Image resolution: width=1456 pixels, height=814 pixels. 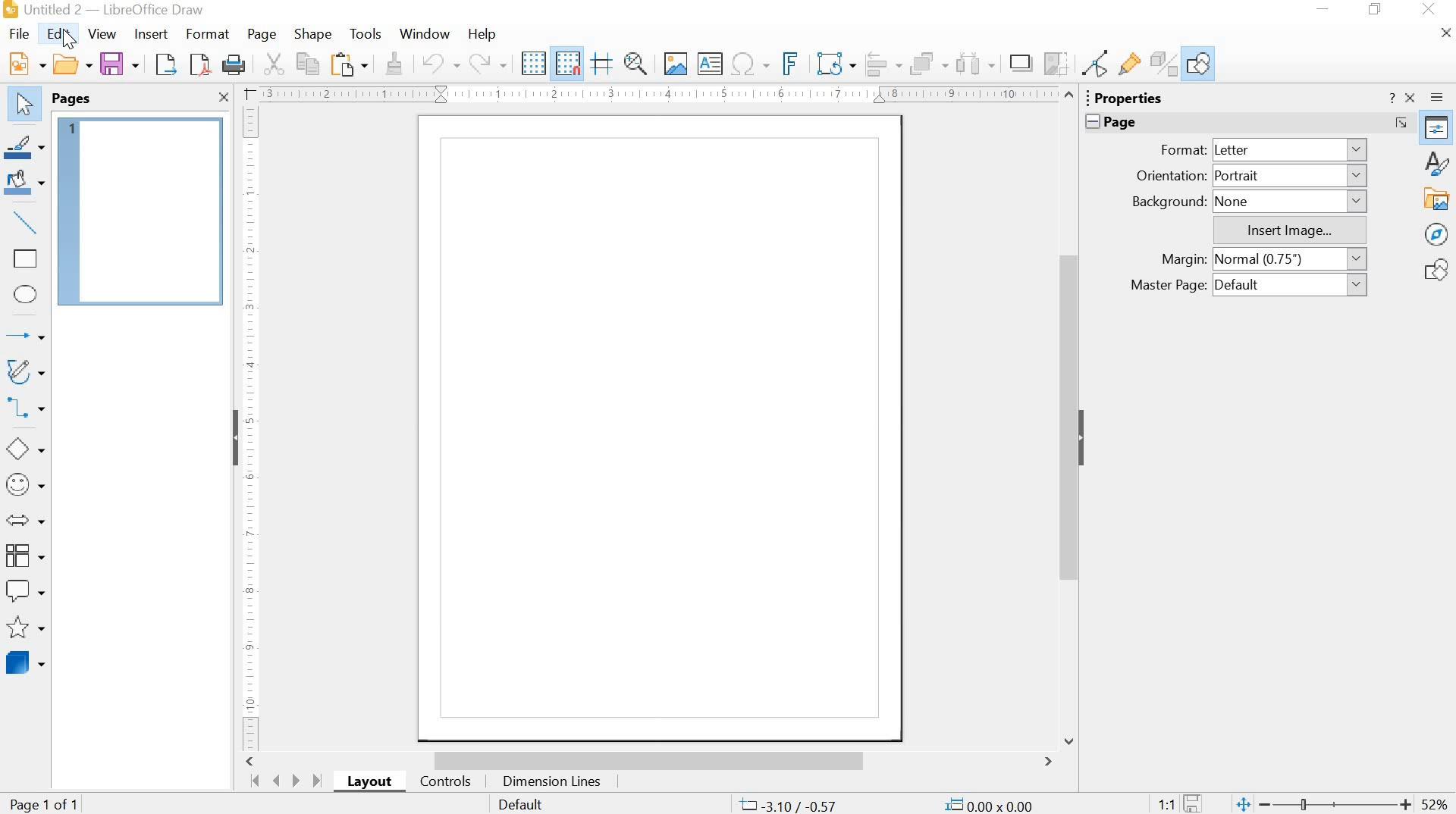 What do you see at coordinates (1066, 417) in the screenshot?
I see `Scroll Up or Down` at bounding box center [1066, 417].